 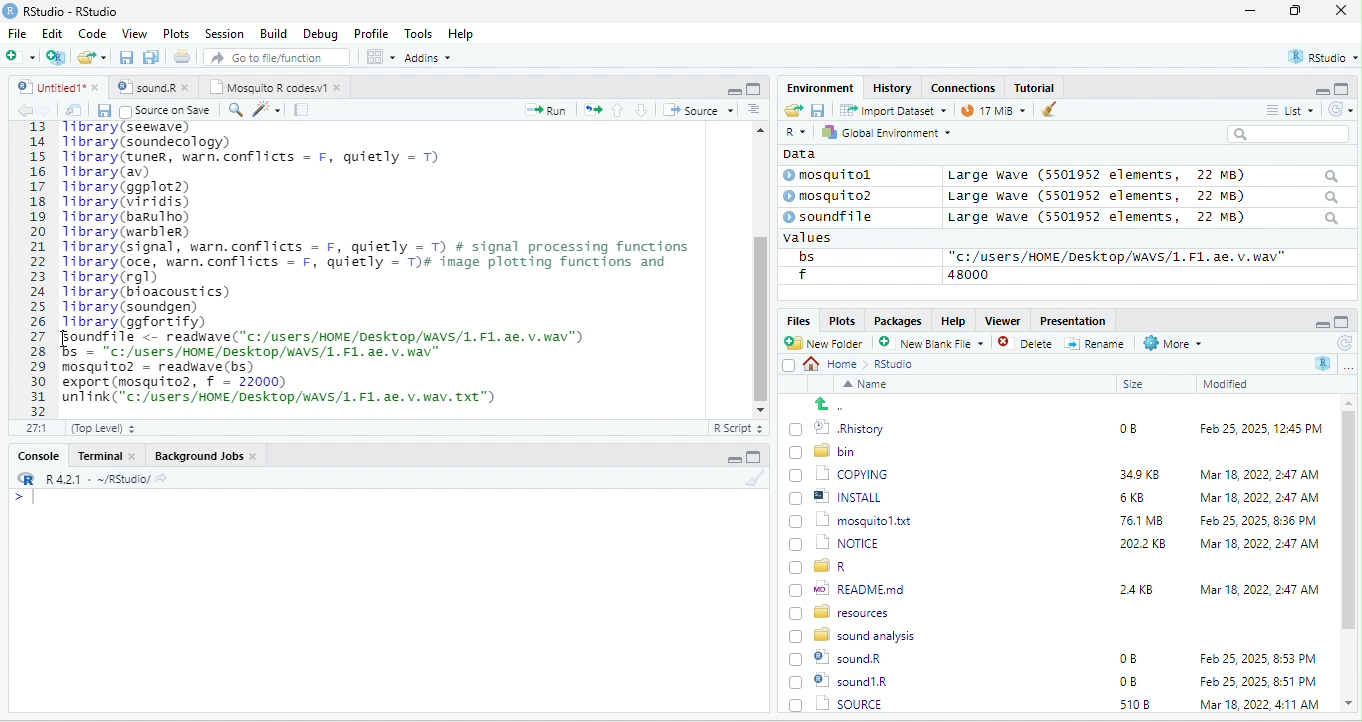 I want to click on New Folder, so click(x=828, y=343).